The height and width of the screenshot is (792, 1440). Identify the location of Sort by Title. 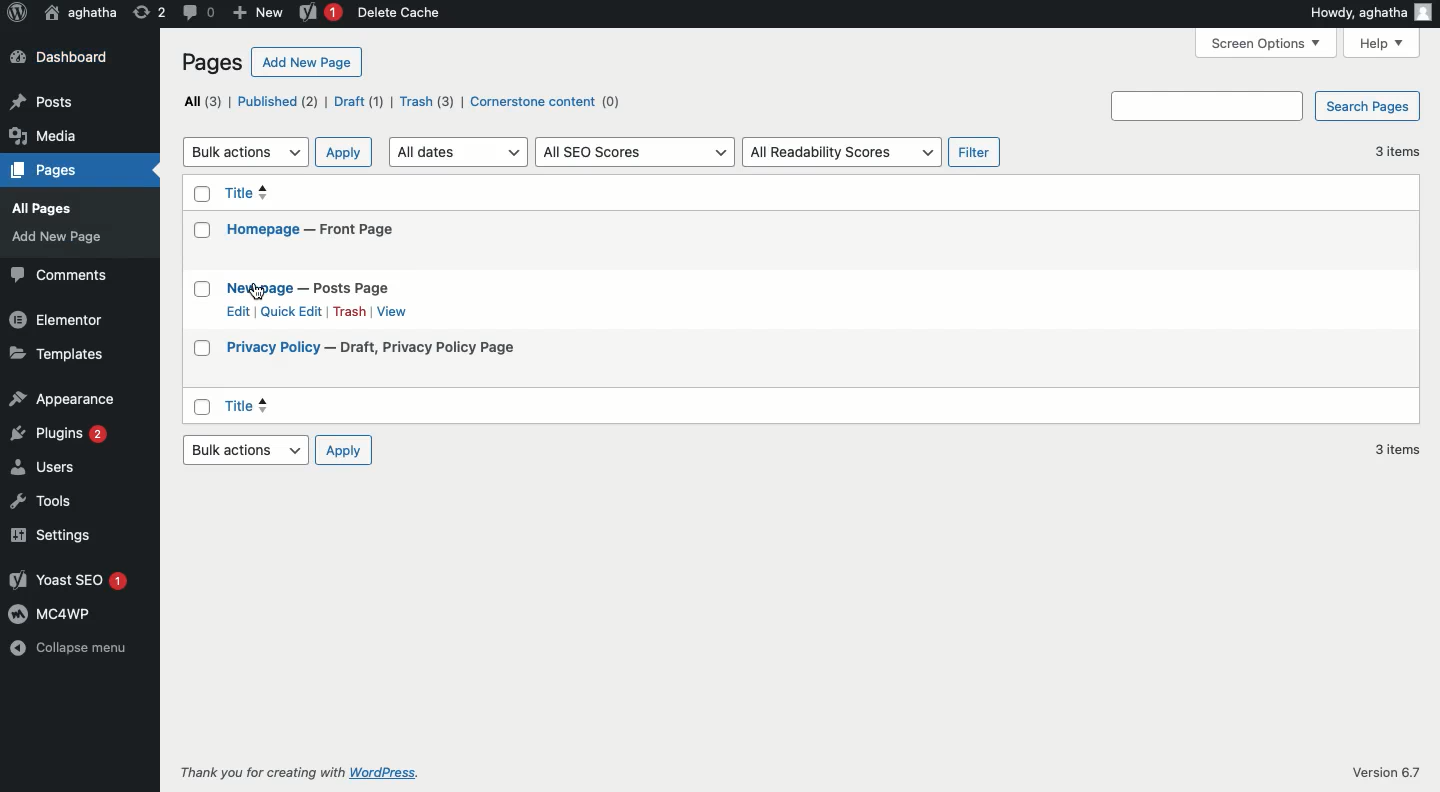
(298, 193).